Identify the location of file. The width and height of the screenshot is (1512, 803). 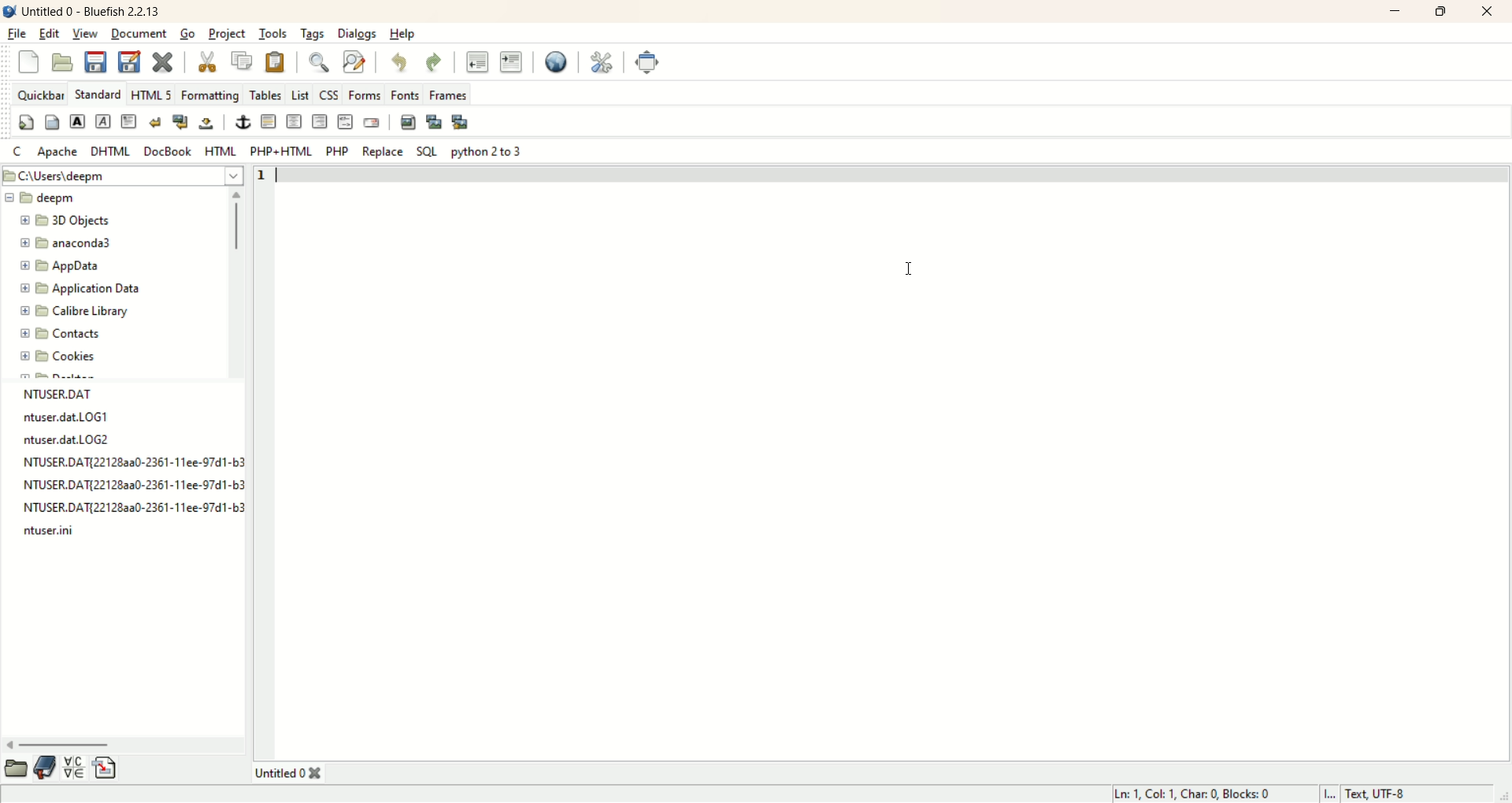
(17, 34).